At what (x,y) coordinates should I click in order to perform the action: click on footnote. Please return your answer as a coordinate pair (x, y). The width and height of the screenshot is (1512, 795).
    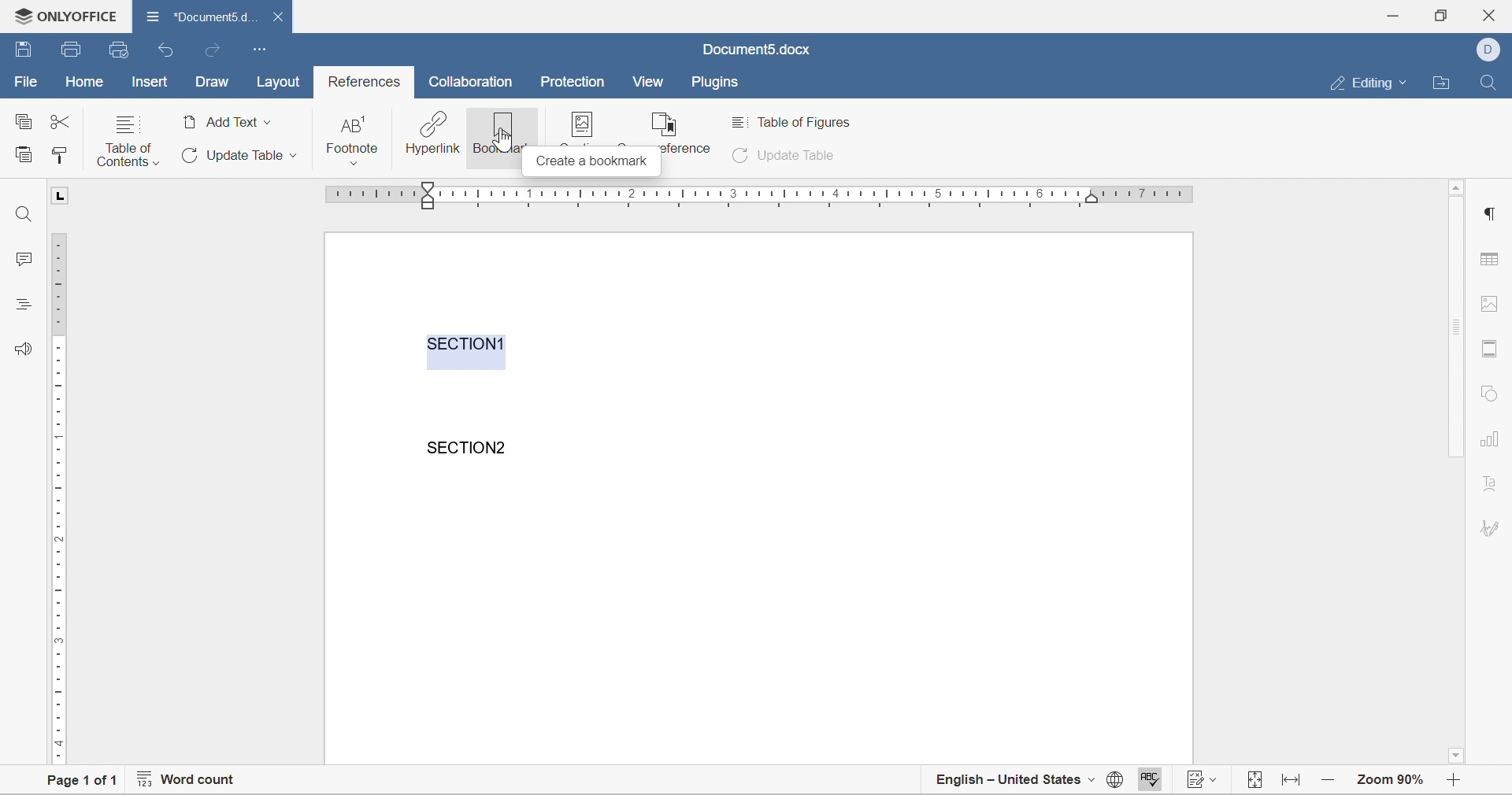
    Looking at the image, I should click on (354, 139).